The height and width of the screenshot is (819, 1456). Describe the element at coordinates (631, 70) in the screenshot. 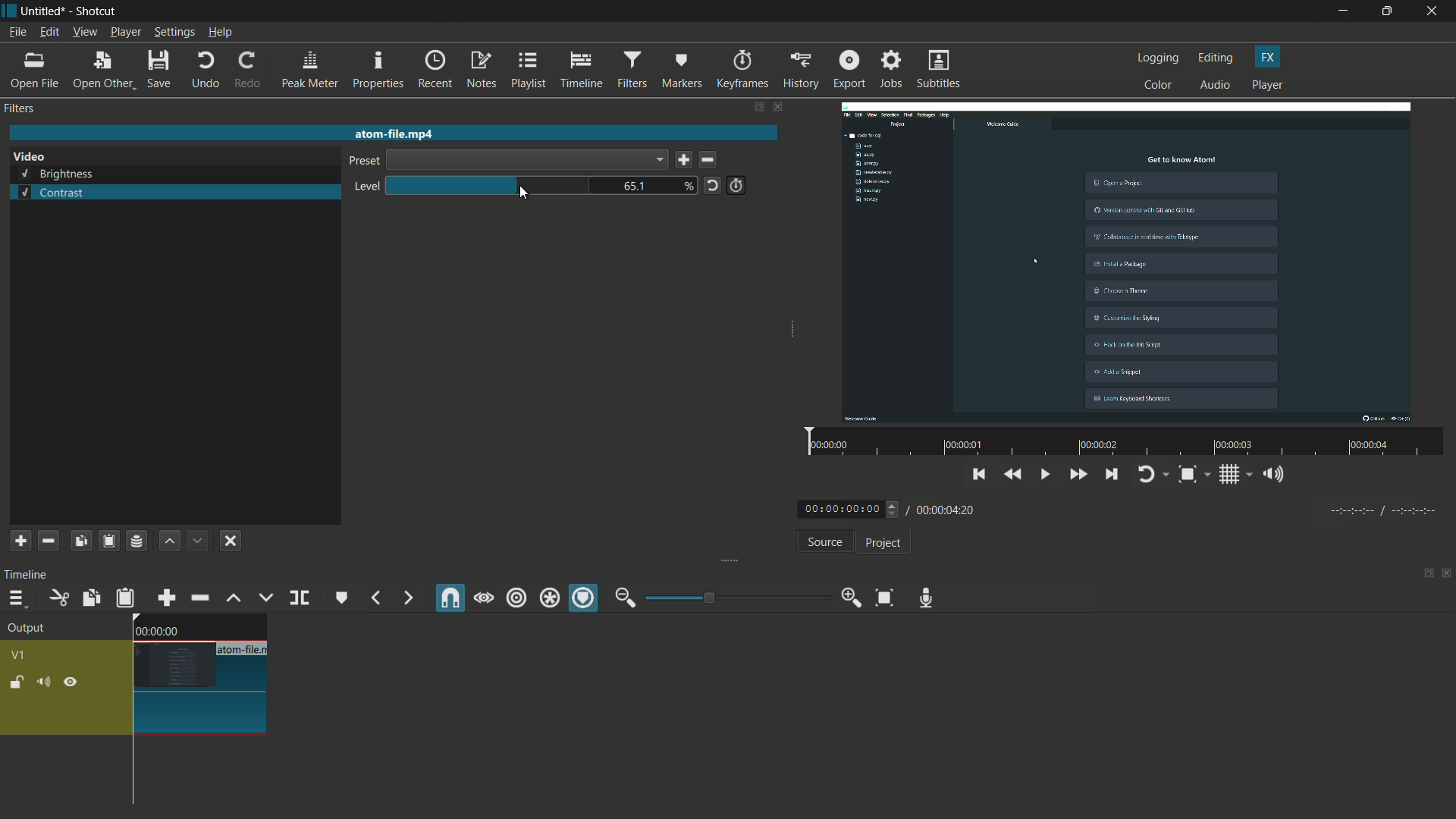

I see `filters` at that location.